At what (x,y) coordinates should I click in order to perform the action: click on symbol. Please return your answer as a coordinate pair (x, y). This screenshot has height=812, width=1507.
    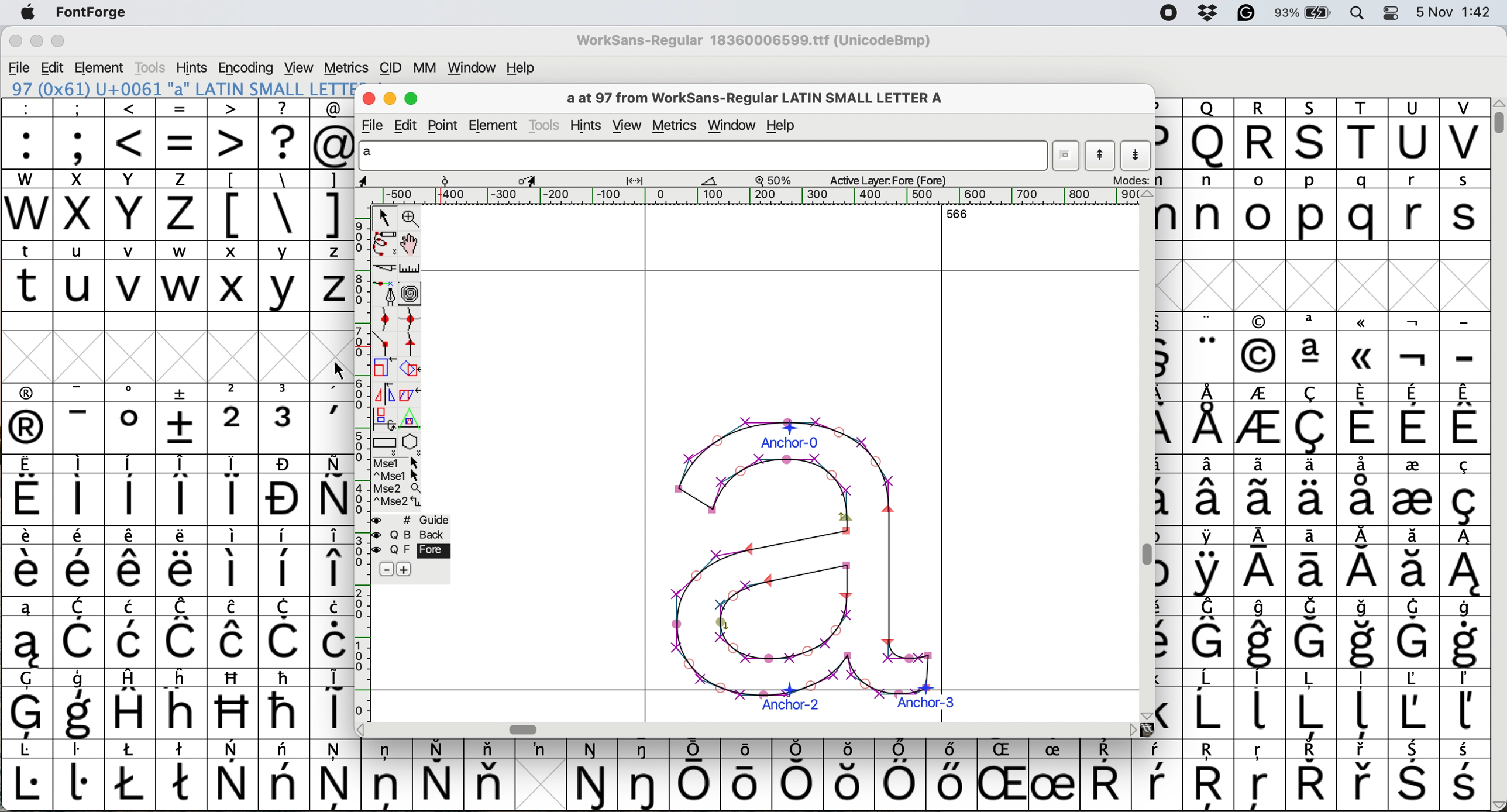
    Looking at the image, I should click on (1209, 632).